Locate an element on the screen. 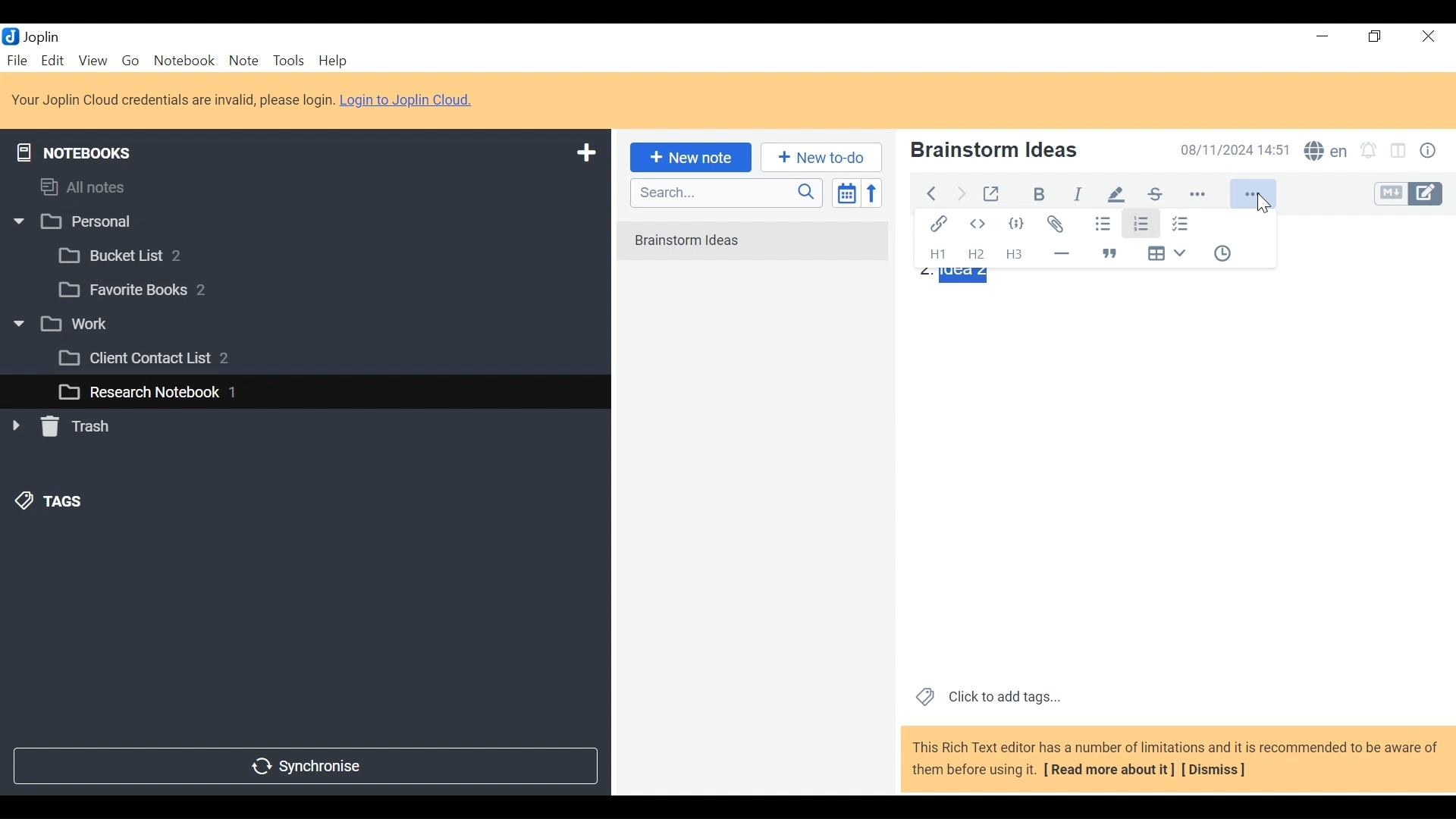 The image size is (1456, 819). more options is located at coordinates (1207, 195).